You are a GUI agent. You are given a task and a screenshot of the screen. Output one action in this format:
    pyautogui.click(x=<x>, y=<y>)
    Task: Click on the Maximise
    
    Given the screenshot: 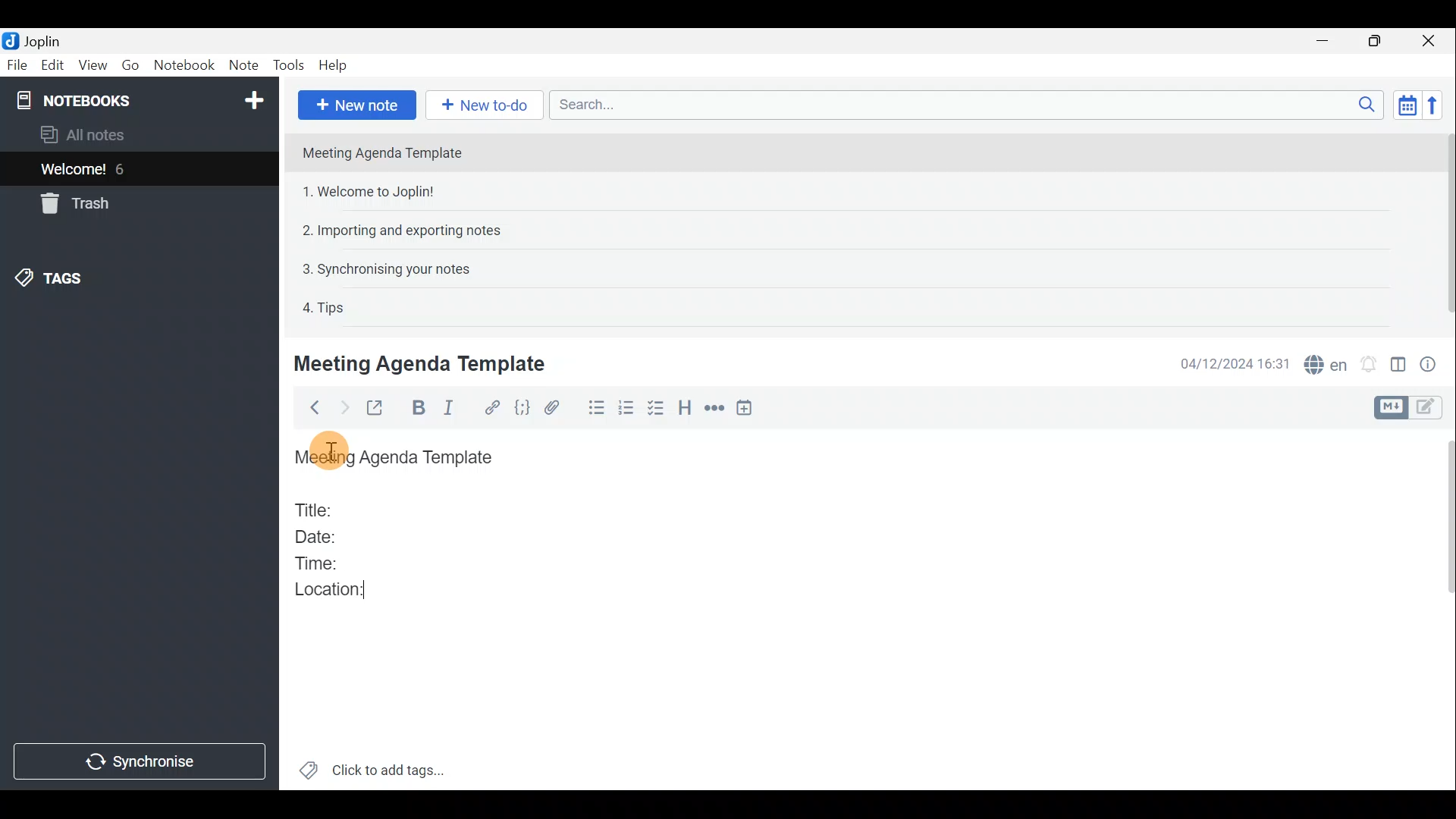 What is the action you would take?
    pyautogui.click(x=1376, y=42)
    